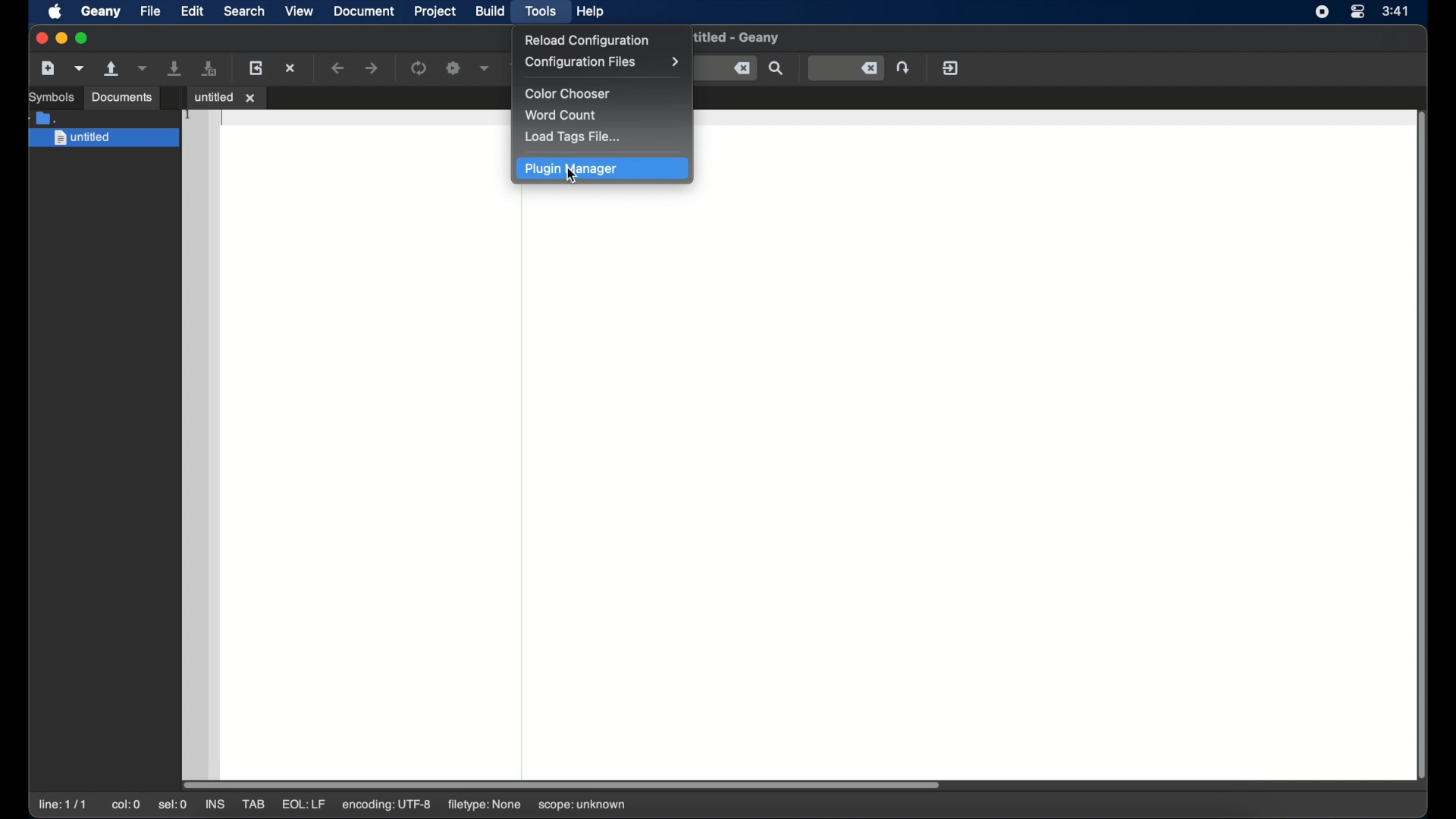 The image size is (1456, 819). What do you see at coordinates (482, 804) in the screenshot?
I see `filetype: none` at bounding box center [482, 804].